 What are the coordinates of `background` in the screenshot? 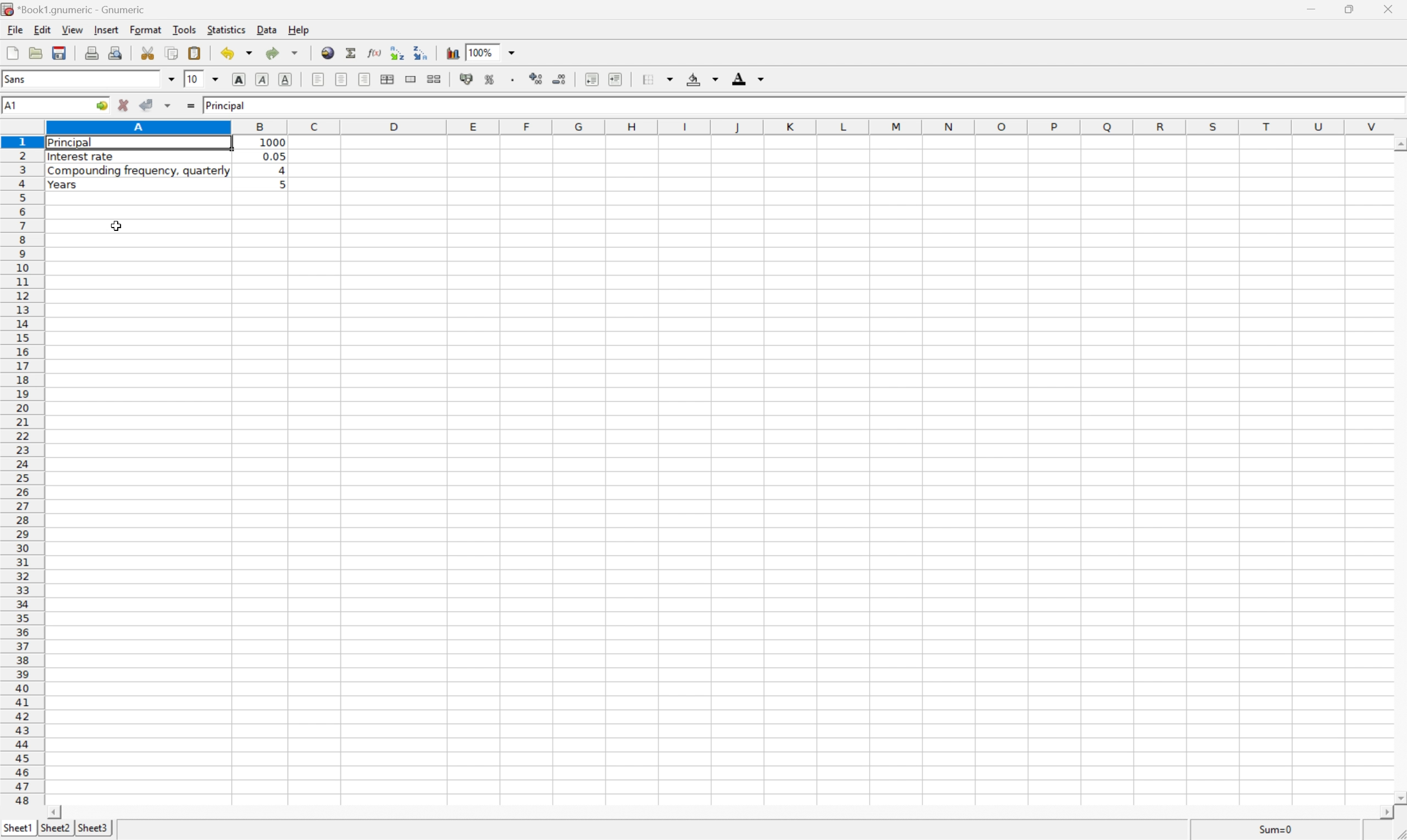 It's located at (703, 79).